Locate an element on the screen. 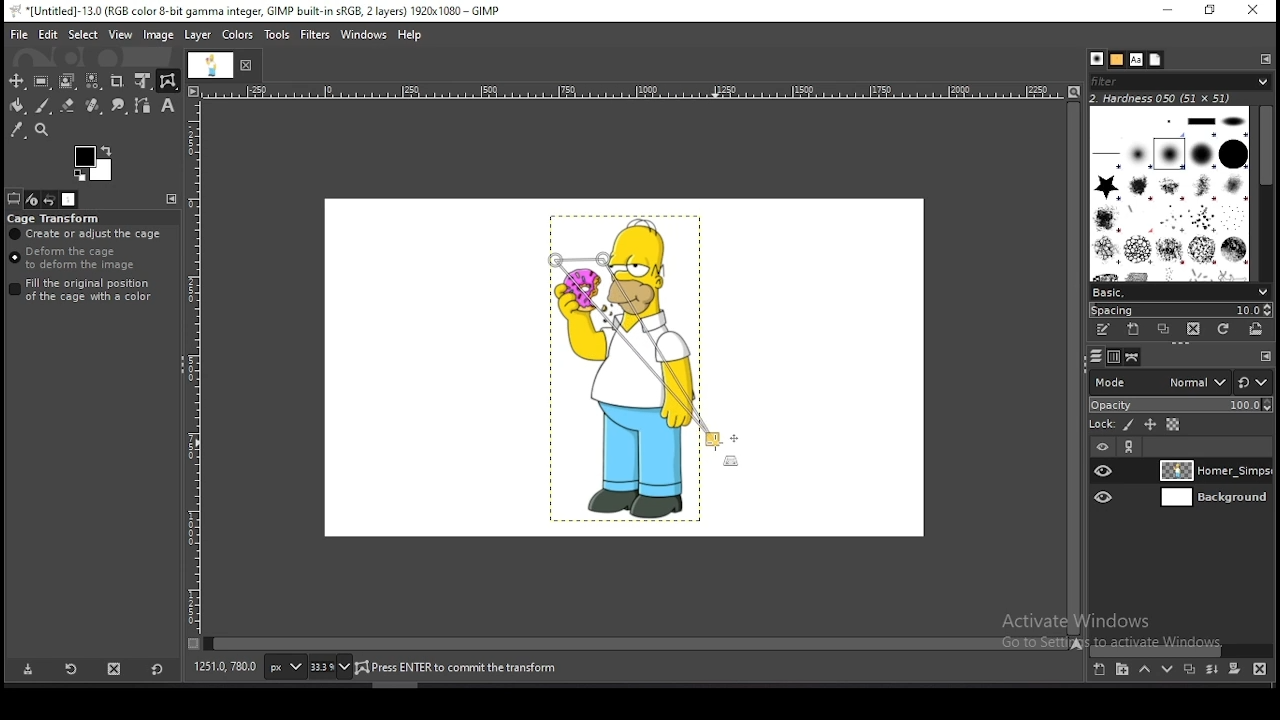 The width and height of the screenshot is (1280, 720). scroll bar is located at coordinates (1264, 190).